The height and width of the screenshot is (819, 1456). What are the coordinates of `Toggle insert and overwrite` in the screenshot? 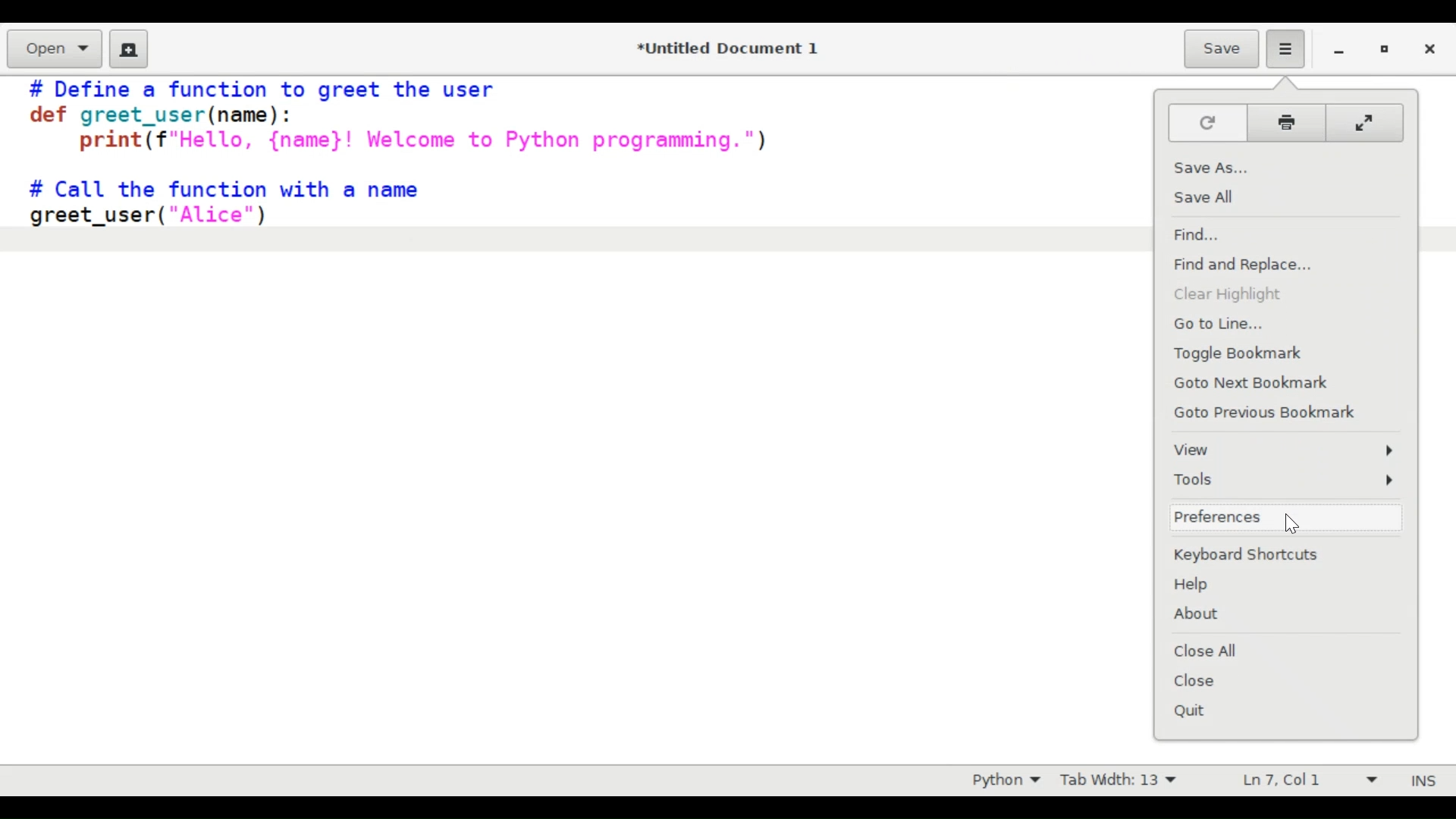 It's located at (1409, 780).